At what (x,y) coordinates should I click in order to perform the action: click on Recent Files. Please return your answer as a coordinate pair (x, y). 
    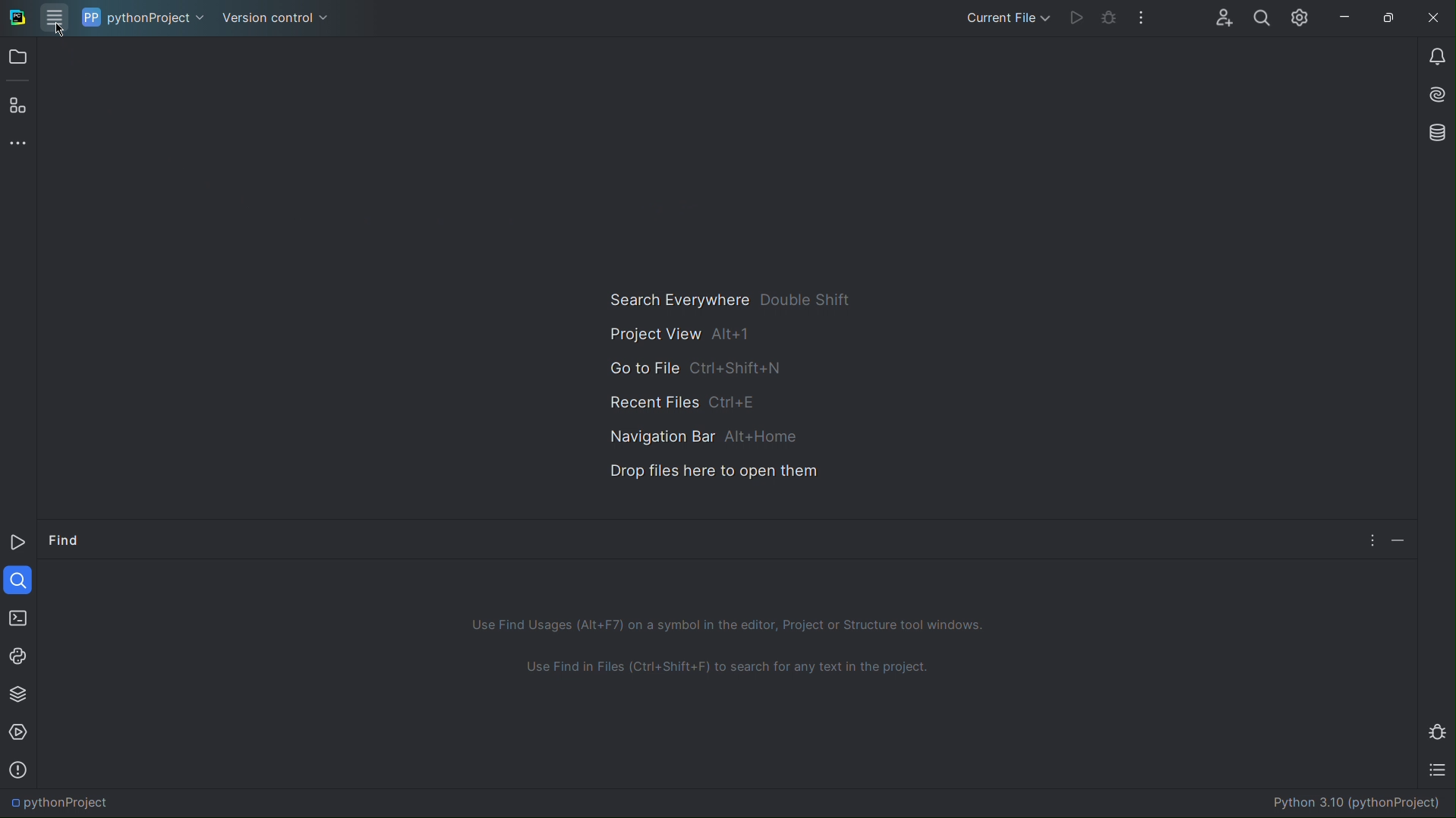
    Looking at the image, I should click on (686, 400).